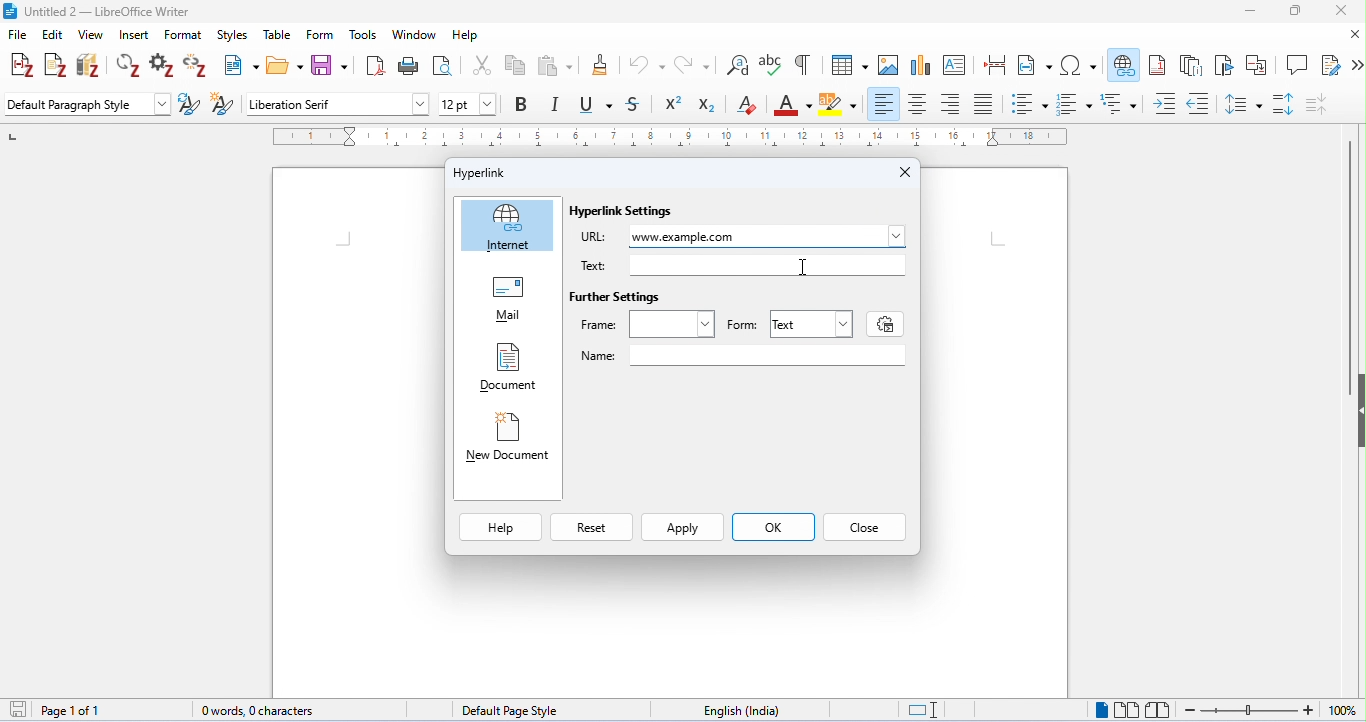 Image resolution: width=1366 pixels, height=722 pixels. I want to click on update selected style, so click(190, 105).